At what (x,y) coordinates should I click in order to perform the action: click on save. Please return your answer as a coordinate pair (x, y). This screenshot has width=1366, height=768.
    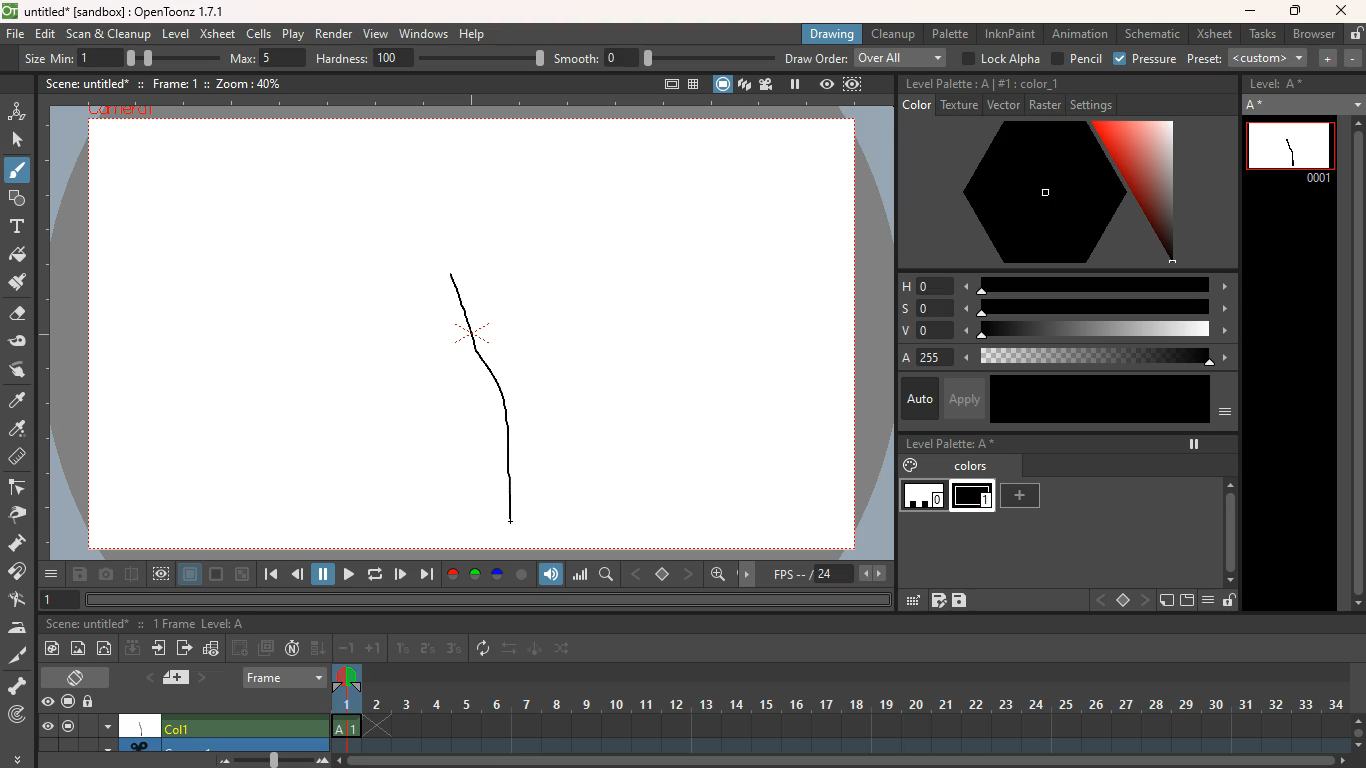
    Looking at the image, I should click on (961, 601).